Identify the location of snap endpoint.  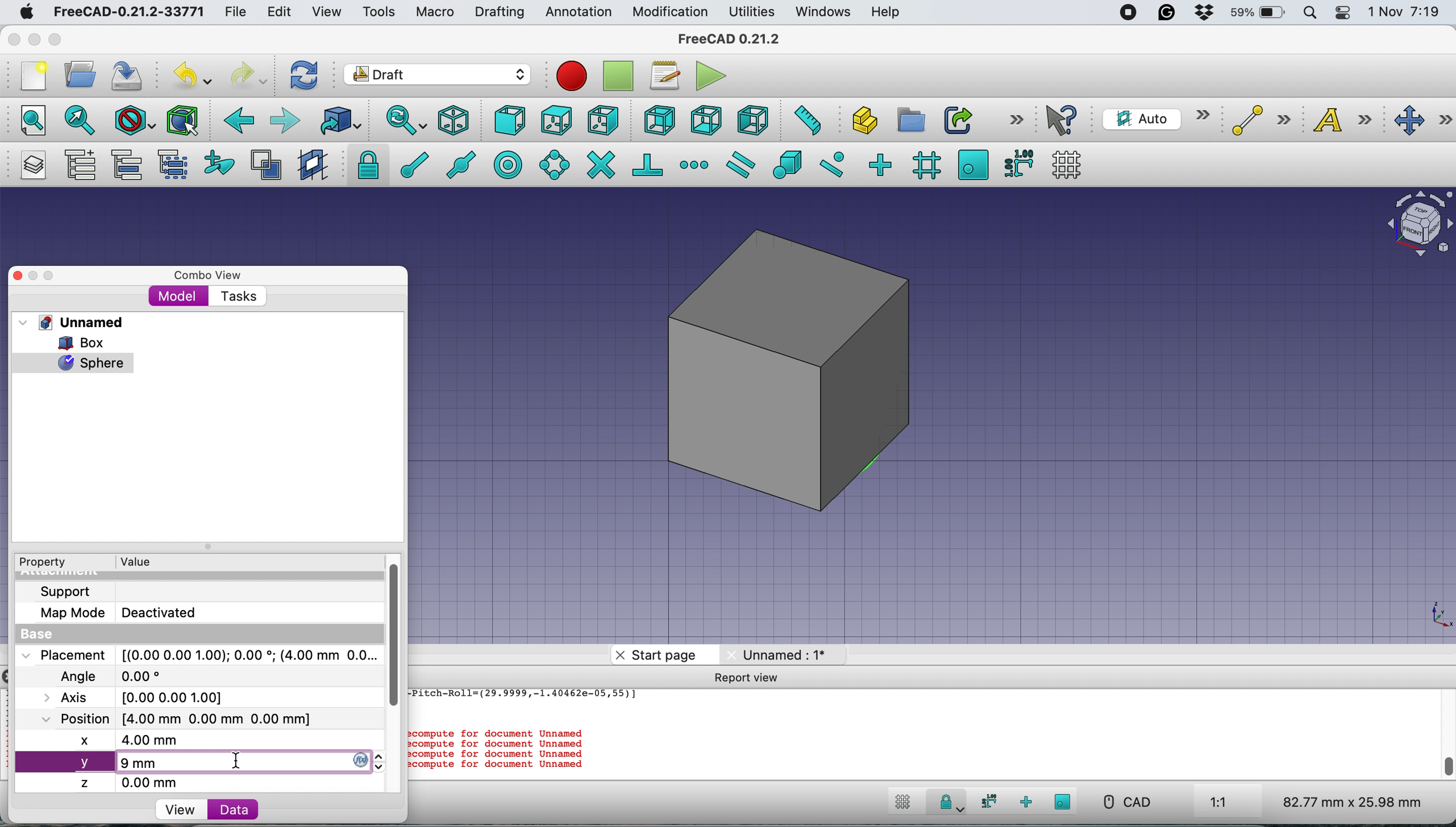
(408, 169).